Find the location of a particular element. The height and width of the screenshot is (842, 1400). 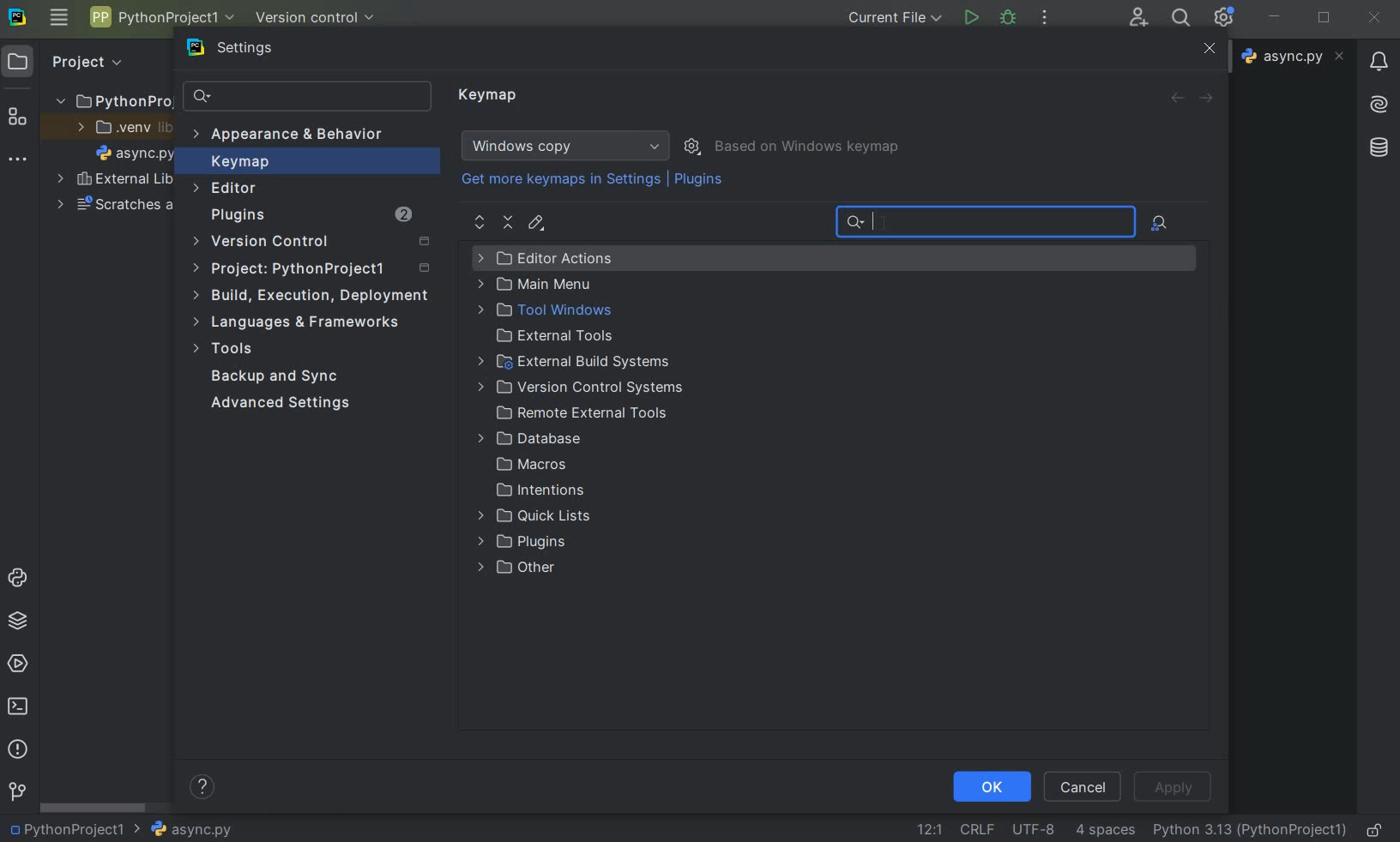

minimize is located at coordinates (1275, 16).